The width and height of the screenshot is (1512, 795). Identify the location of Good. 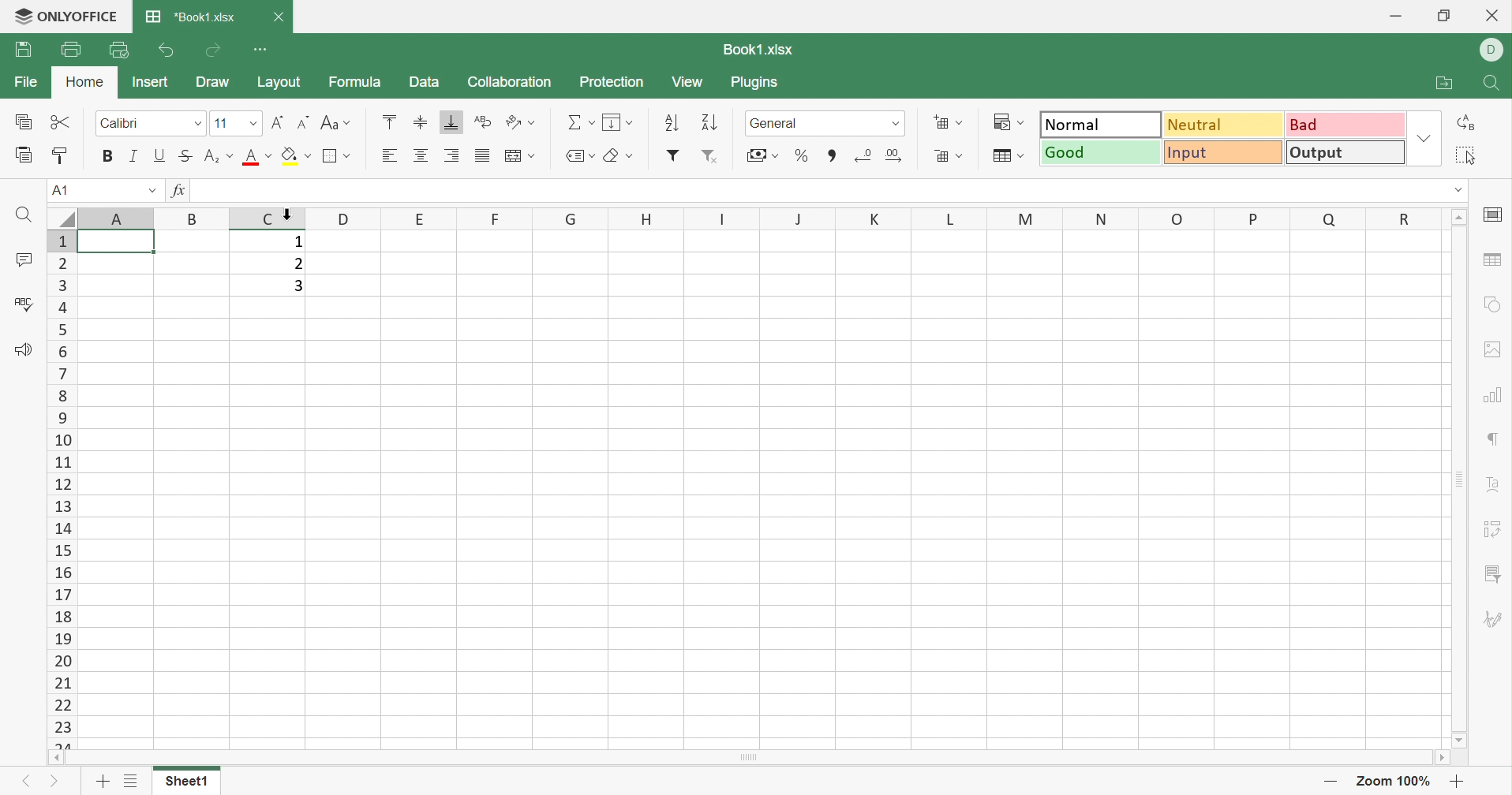
(1102, 153).